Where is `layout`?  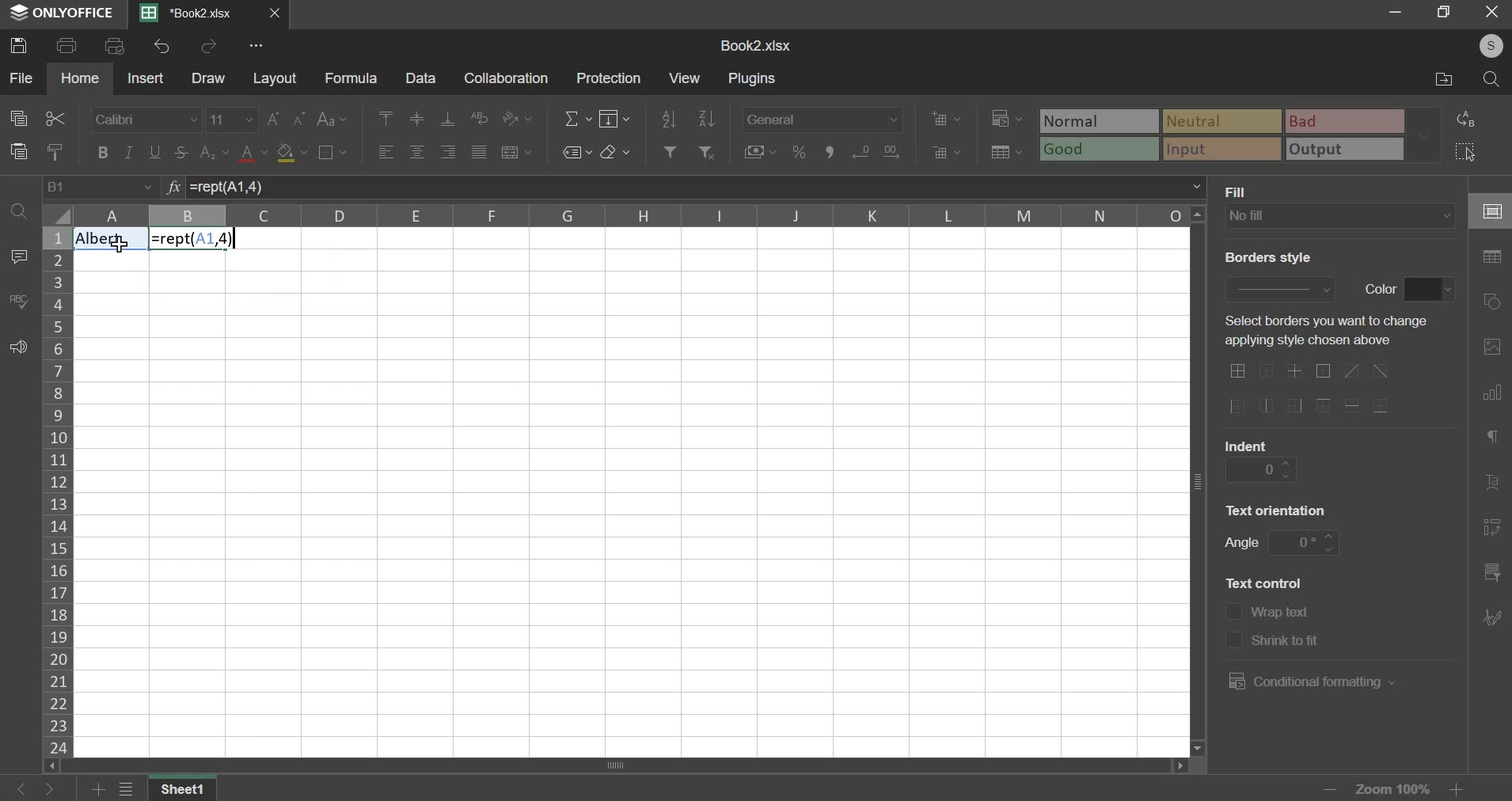 layout is located at coordinates (275, 79).